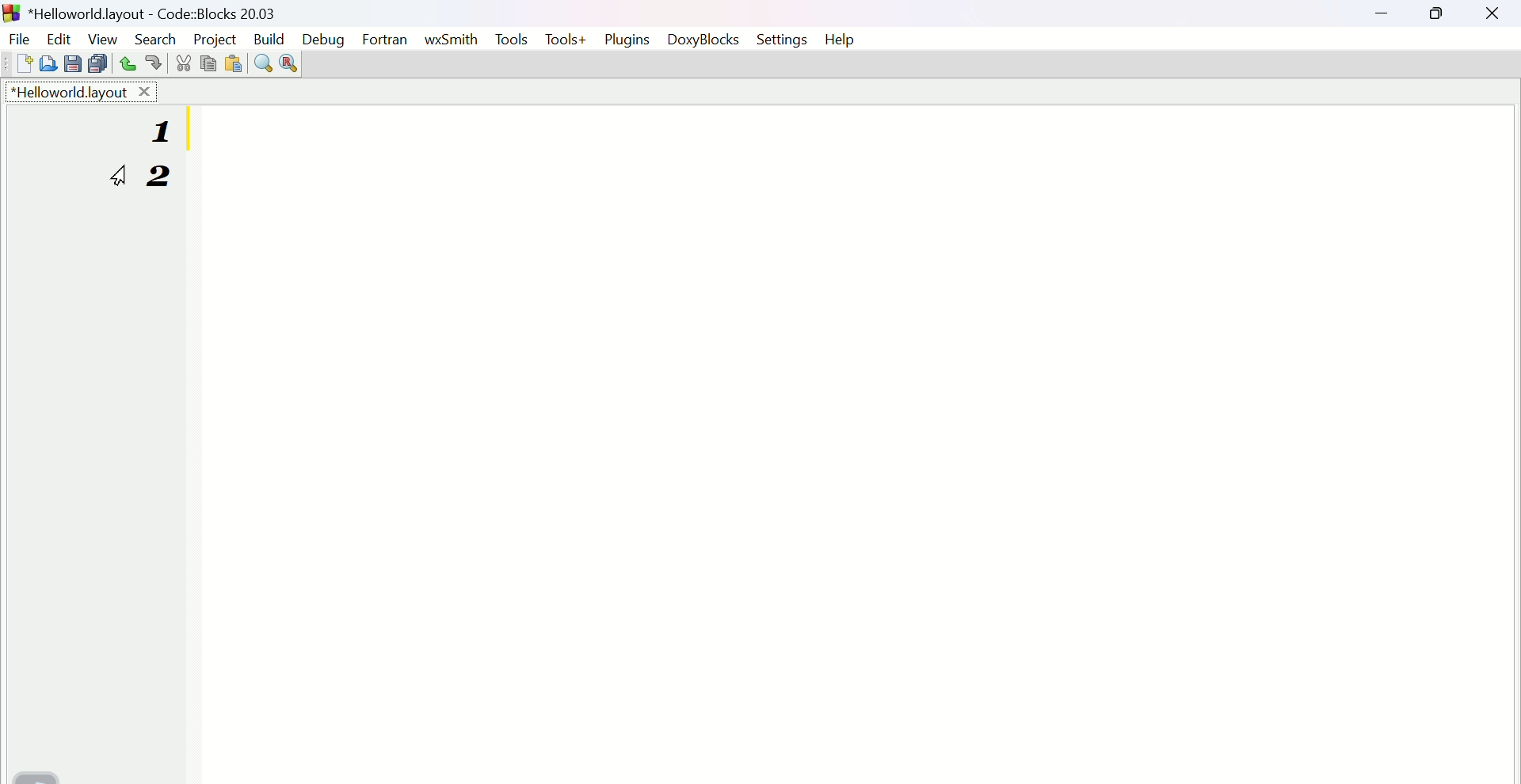 Image resolution: width=1521 pixels, height=784 pixels. What do you see at coordinates (71, 64) in the screenshot?
I see `Save as` at bounding box center [71, 64].